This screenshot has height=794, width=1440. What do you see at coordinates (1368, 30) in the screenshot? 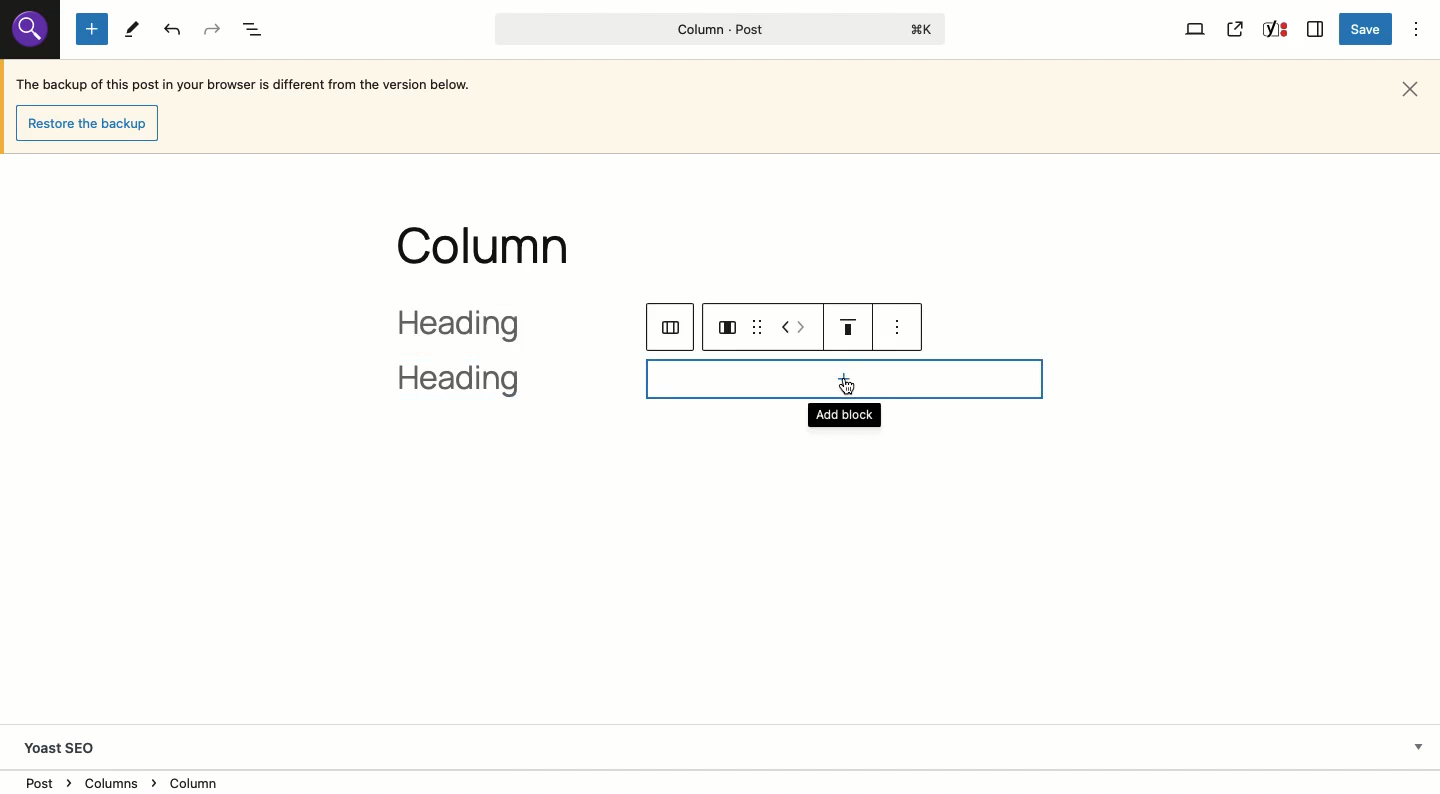
I see `Save` at bounding box center [1368, 30].